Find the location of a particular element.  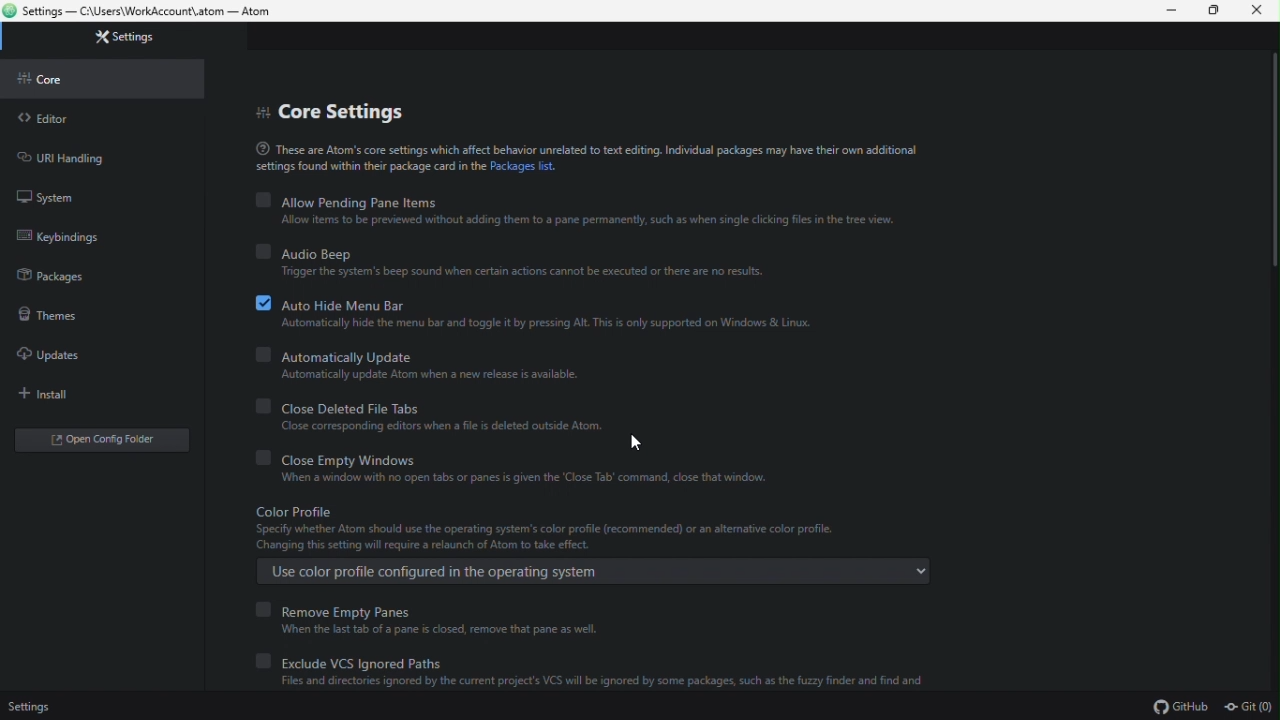

close is located at coordinates (1258, 11).